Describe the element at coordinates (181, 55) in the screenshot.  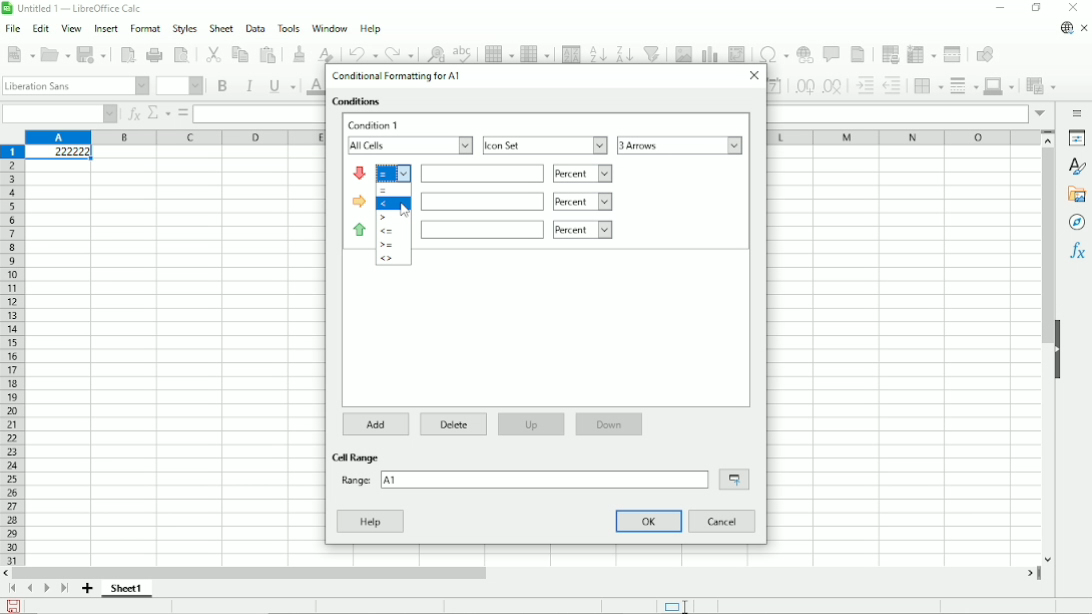
I see `Toggle print preview` at that location.